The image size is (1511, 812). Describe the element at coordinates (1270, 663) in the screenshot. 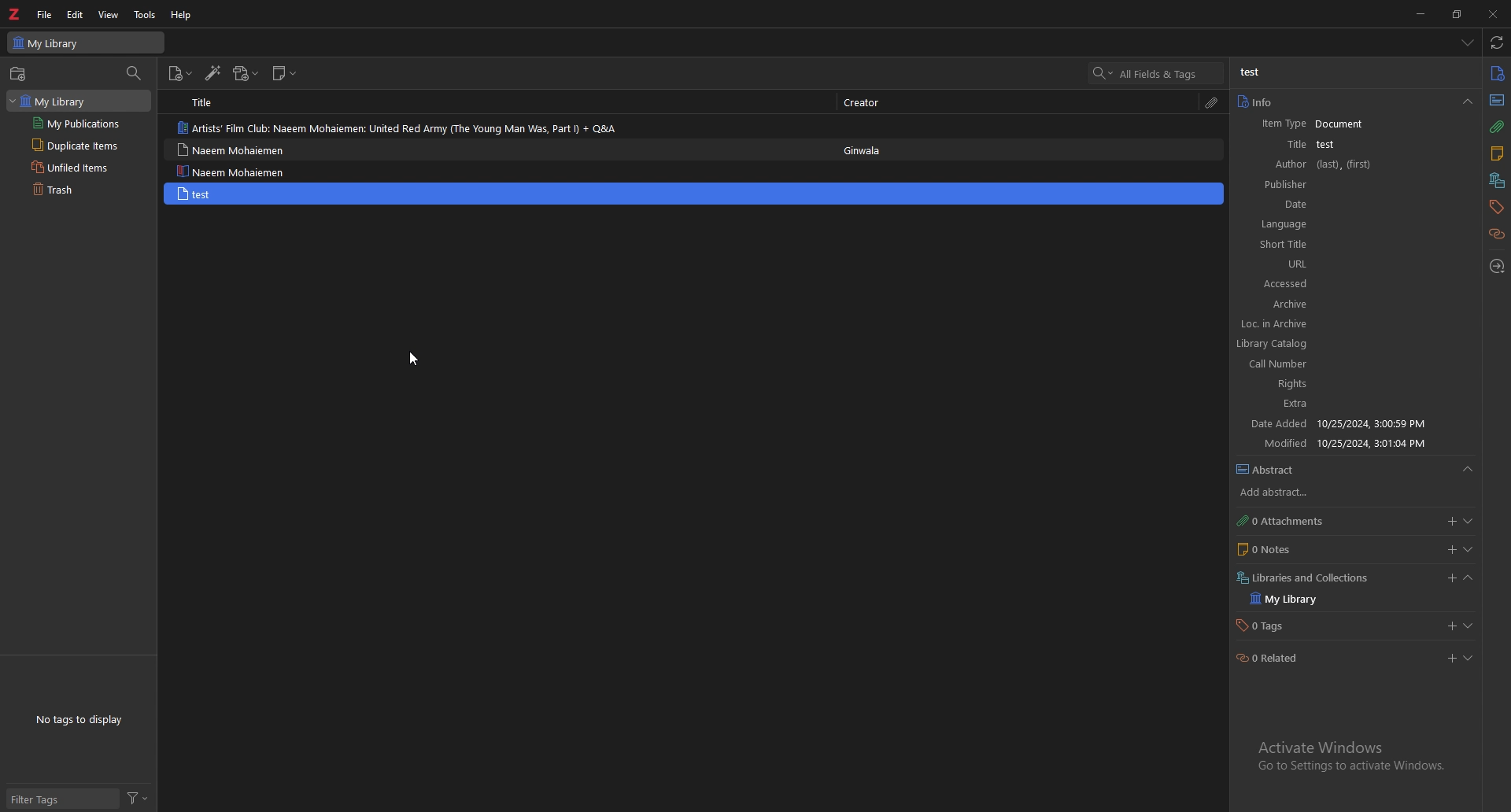

I see `0 Releated` at that location.